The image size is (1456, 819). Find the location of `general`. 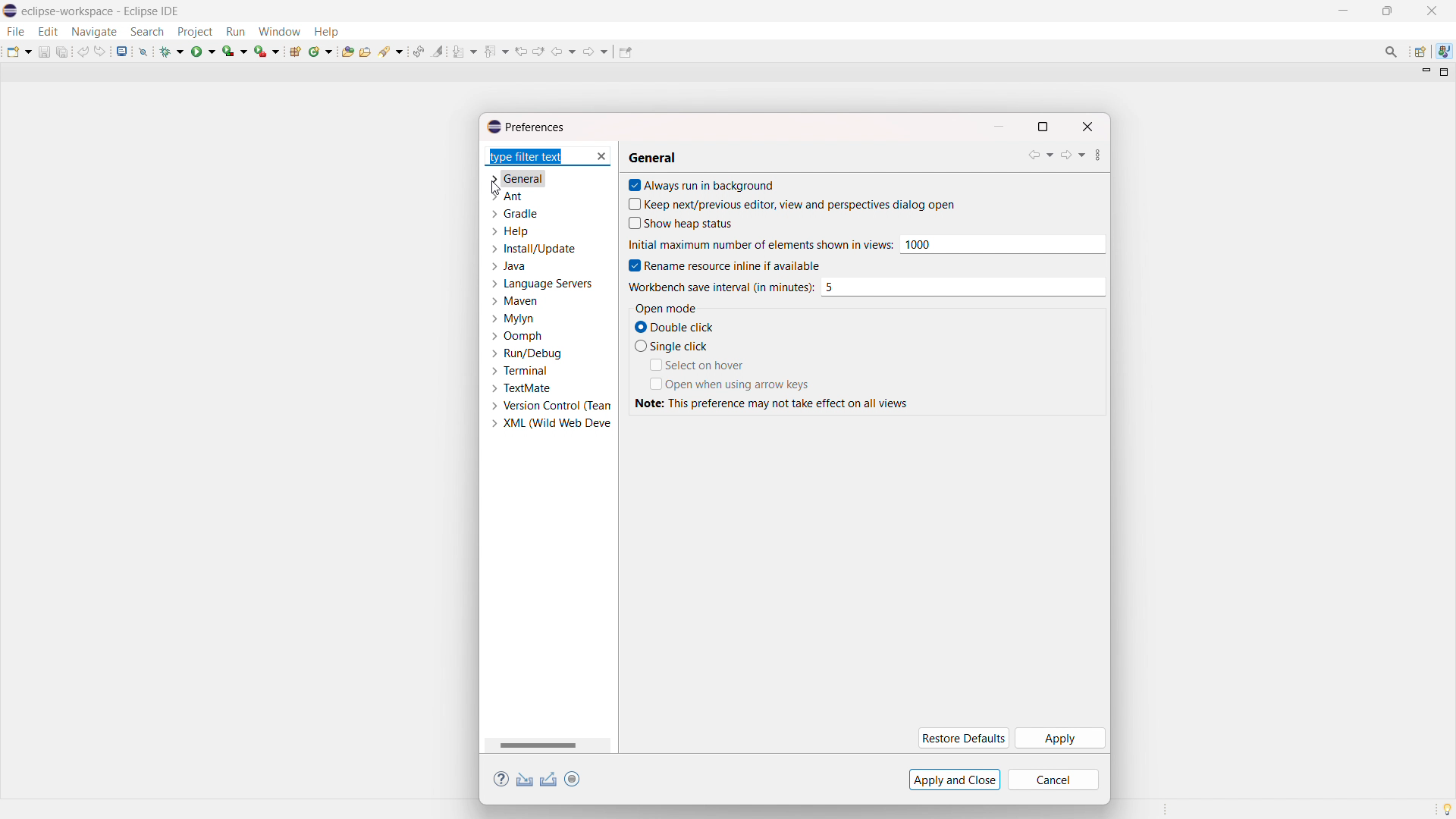

general is located at coordinates (516, 178).